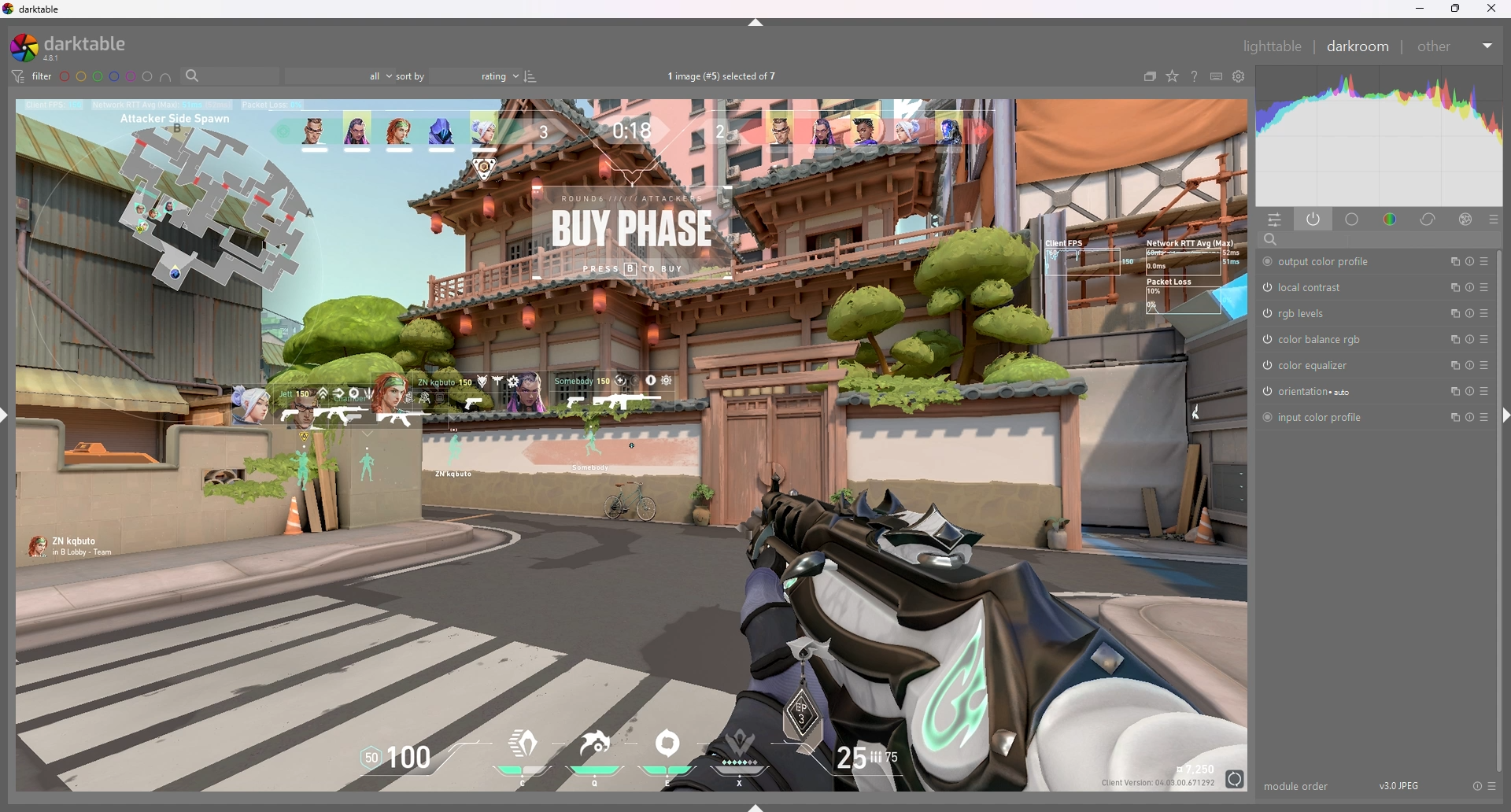 The width and height of the screenshot is (1511, 812). I want to click on presets, so click(1485, 286).